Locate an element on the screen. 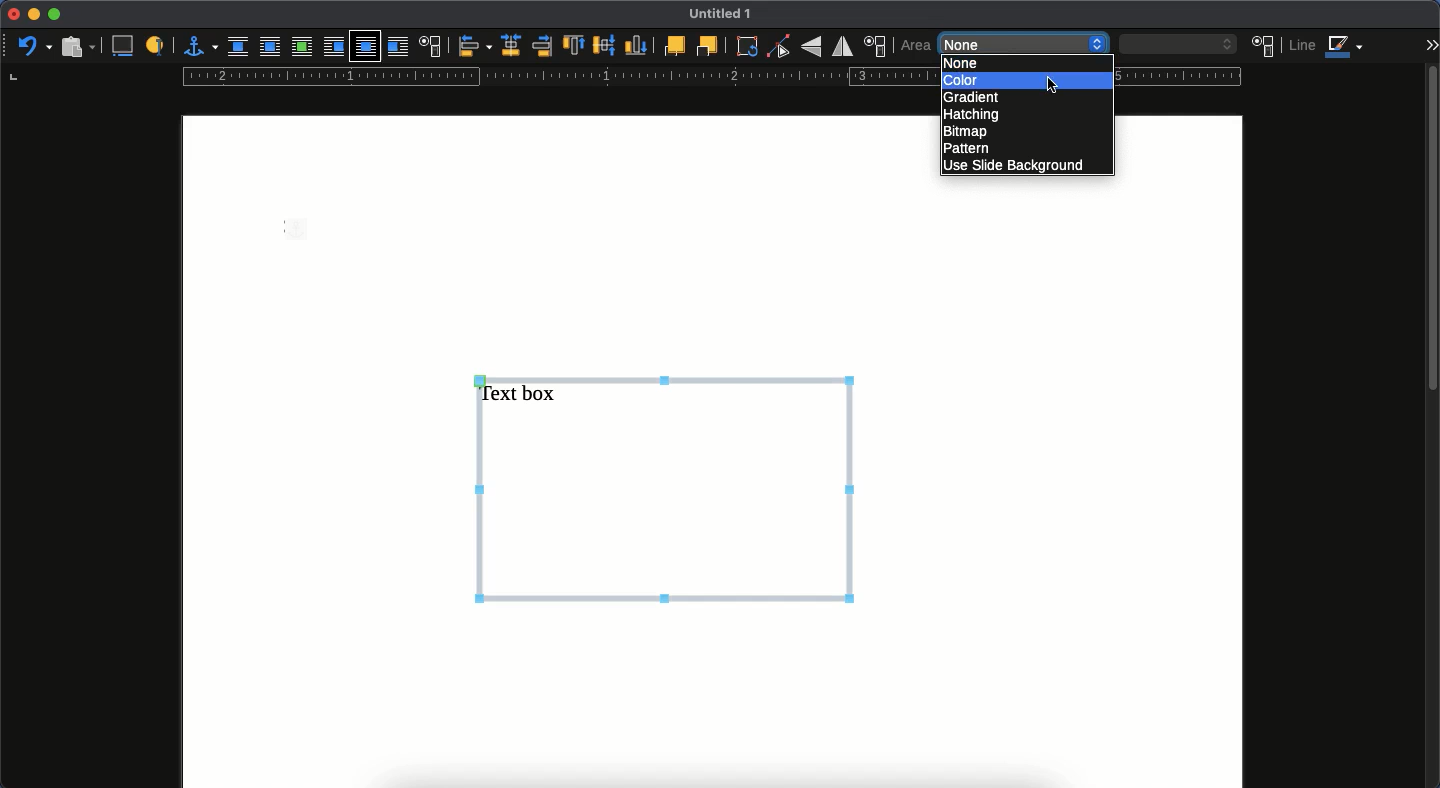 This screenshot has width=1440, height=788. paste is located at coordinates (76, 46).